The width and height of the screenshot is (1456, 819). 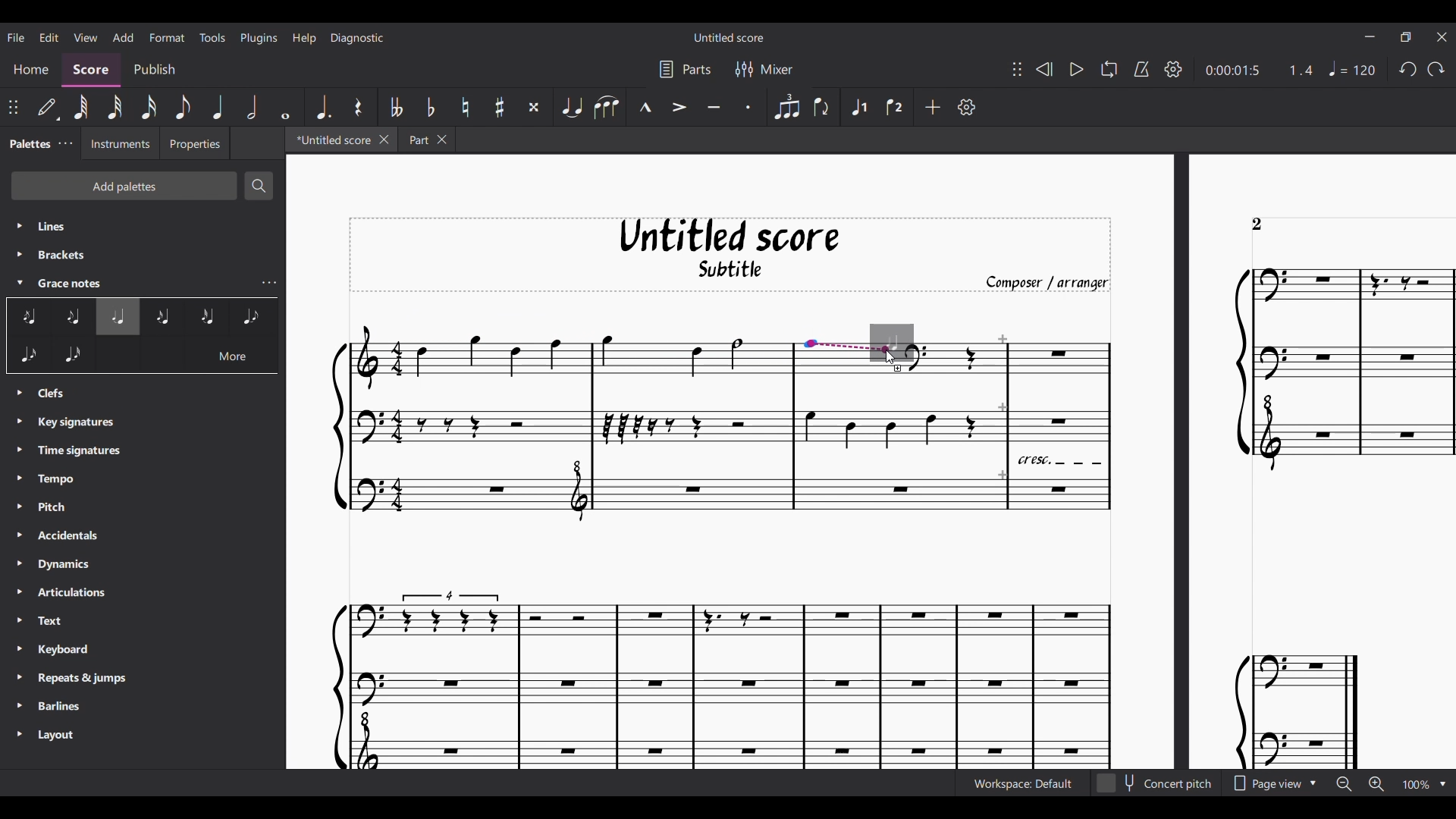 What do you see at coordinates (728, 37) in the screenshot?
I see `Score title` at bounding box center [728, 37].